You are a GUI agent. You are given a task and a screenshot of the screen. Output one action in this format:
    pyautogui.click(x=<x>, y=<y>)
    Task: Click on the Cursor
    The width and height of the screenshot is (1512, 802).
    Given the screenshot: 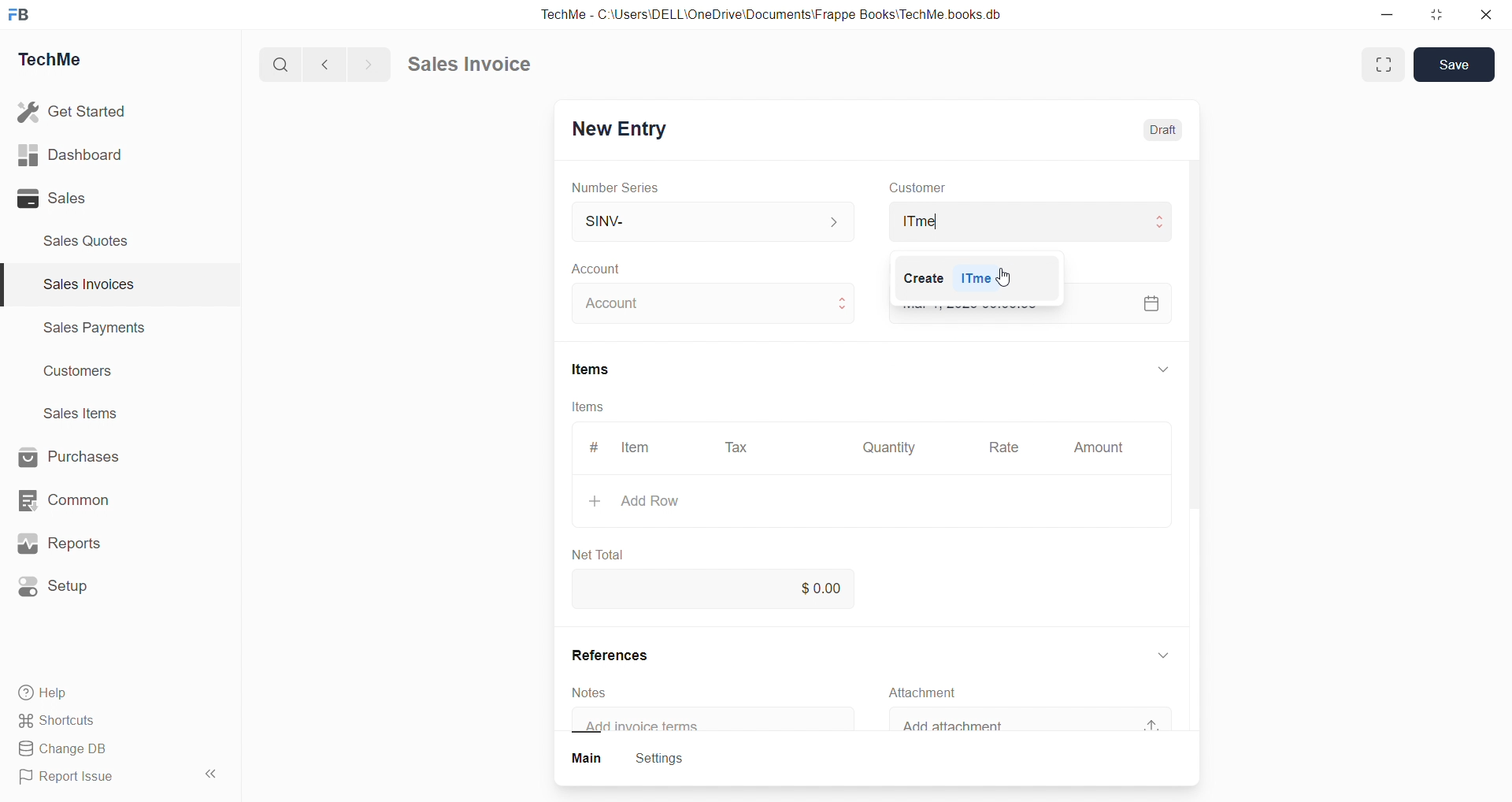 What is the action you would take?
    pyautogui.click(x=1010, y=276)
    